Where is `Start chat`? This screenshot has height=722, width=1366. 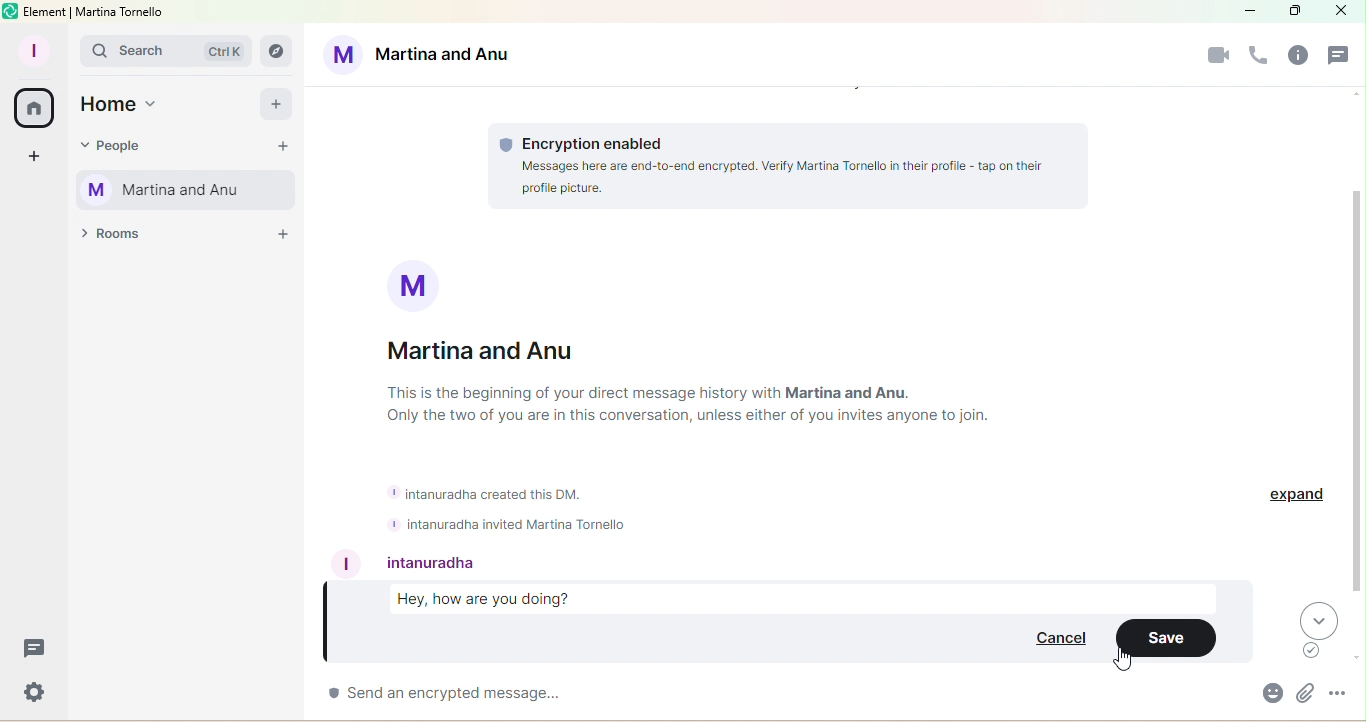
Start chat is located at coordinates (282, 147).